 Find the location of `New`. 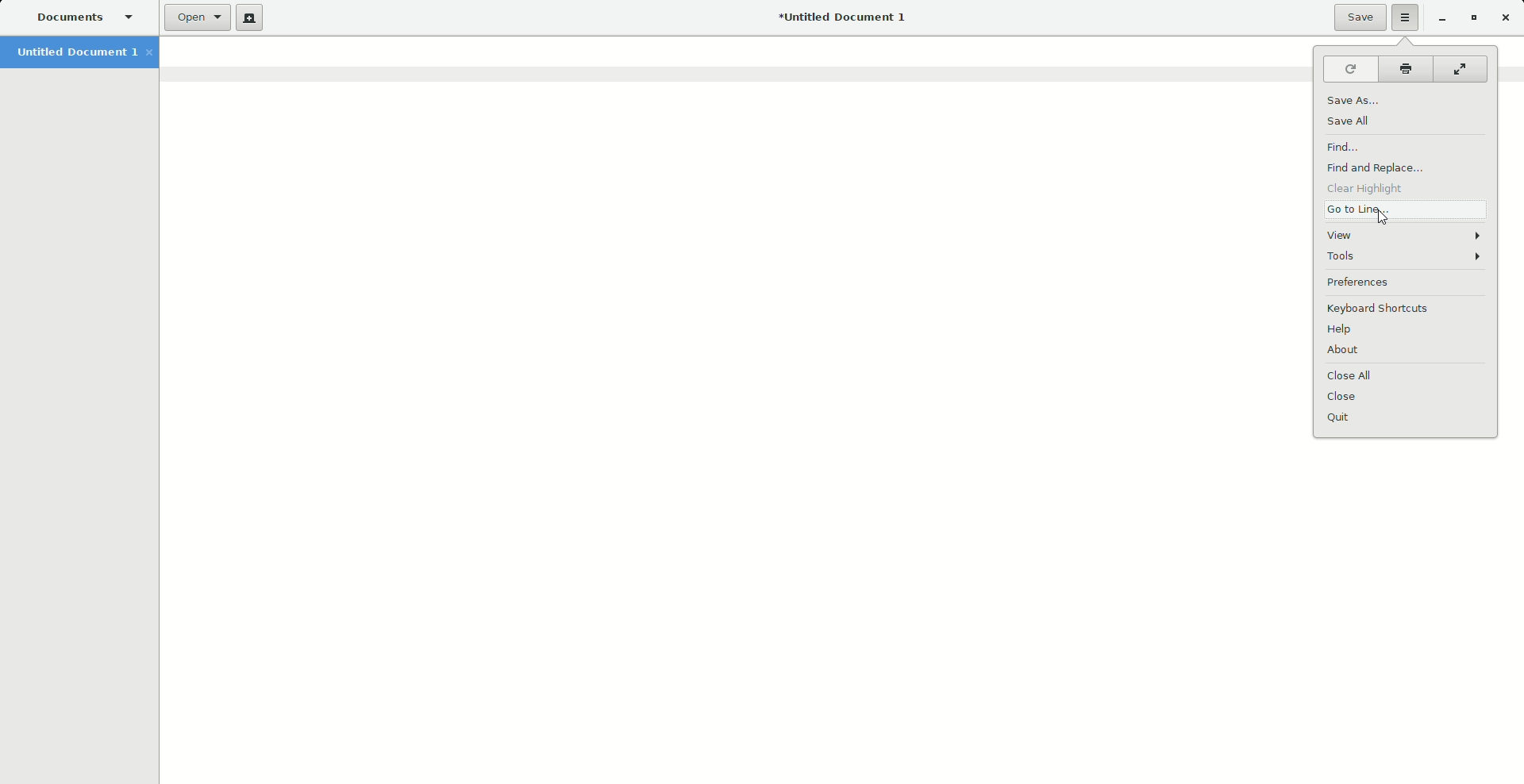

New is located at coordinates (252, 19).